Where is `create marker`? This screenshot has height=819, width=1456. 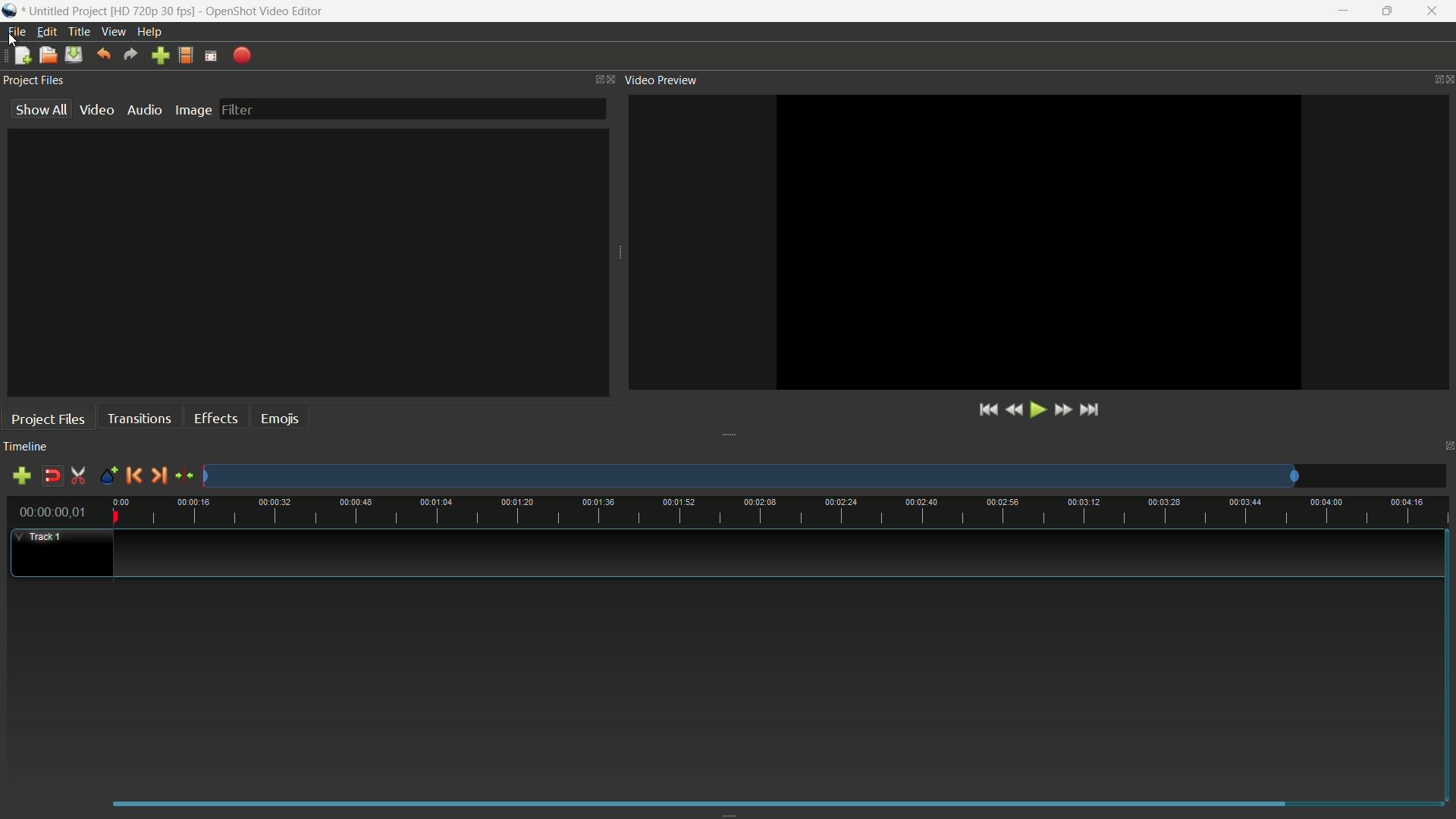
create marker is located at coordinates (108, 477).